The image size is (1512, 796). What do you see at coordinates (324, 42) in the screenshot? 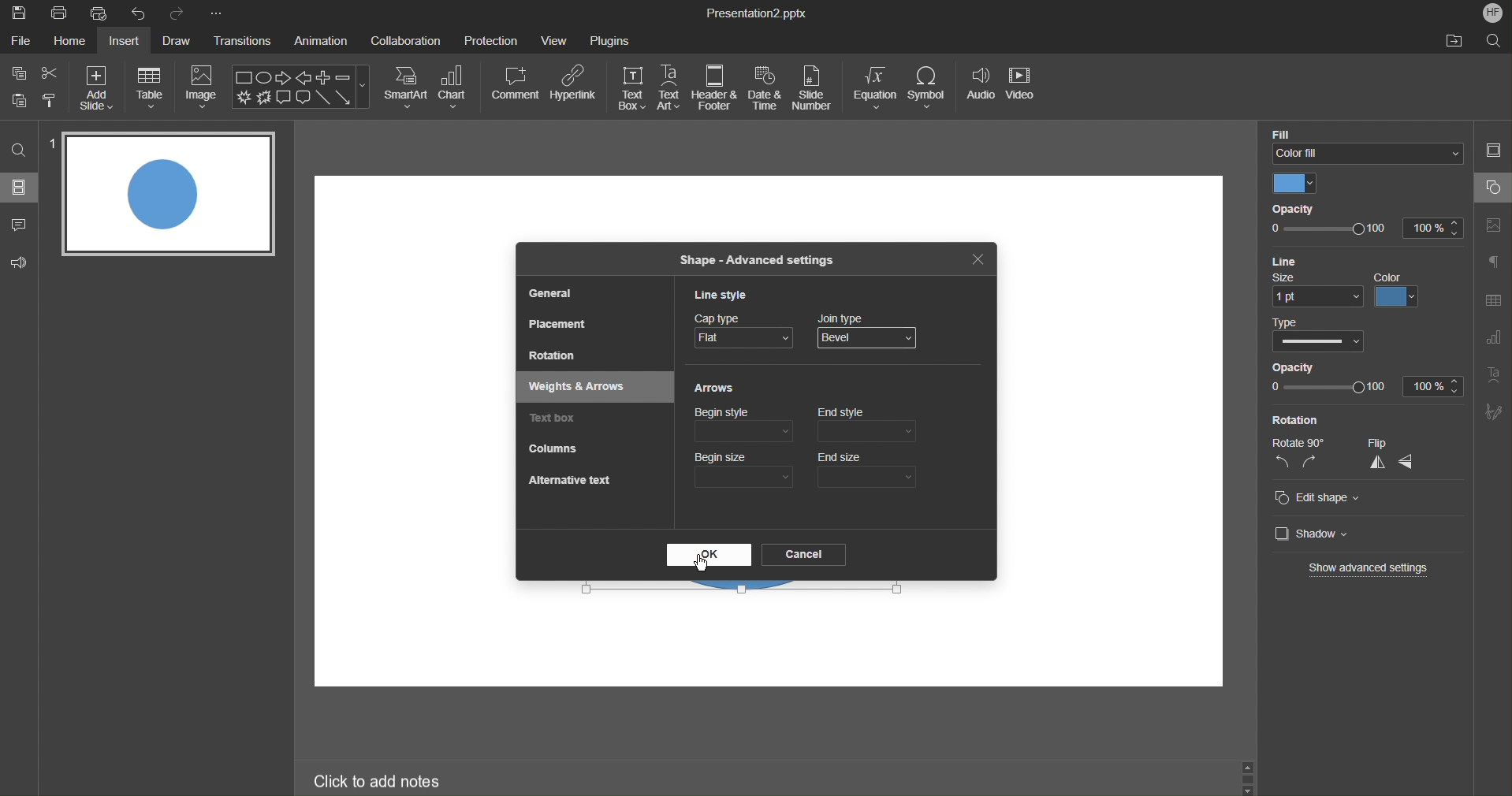
I see `Animation` at bounding box center [324, 42].